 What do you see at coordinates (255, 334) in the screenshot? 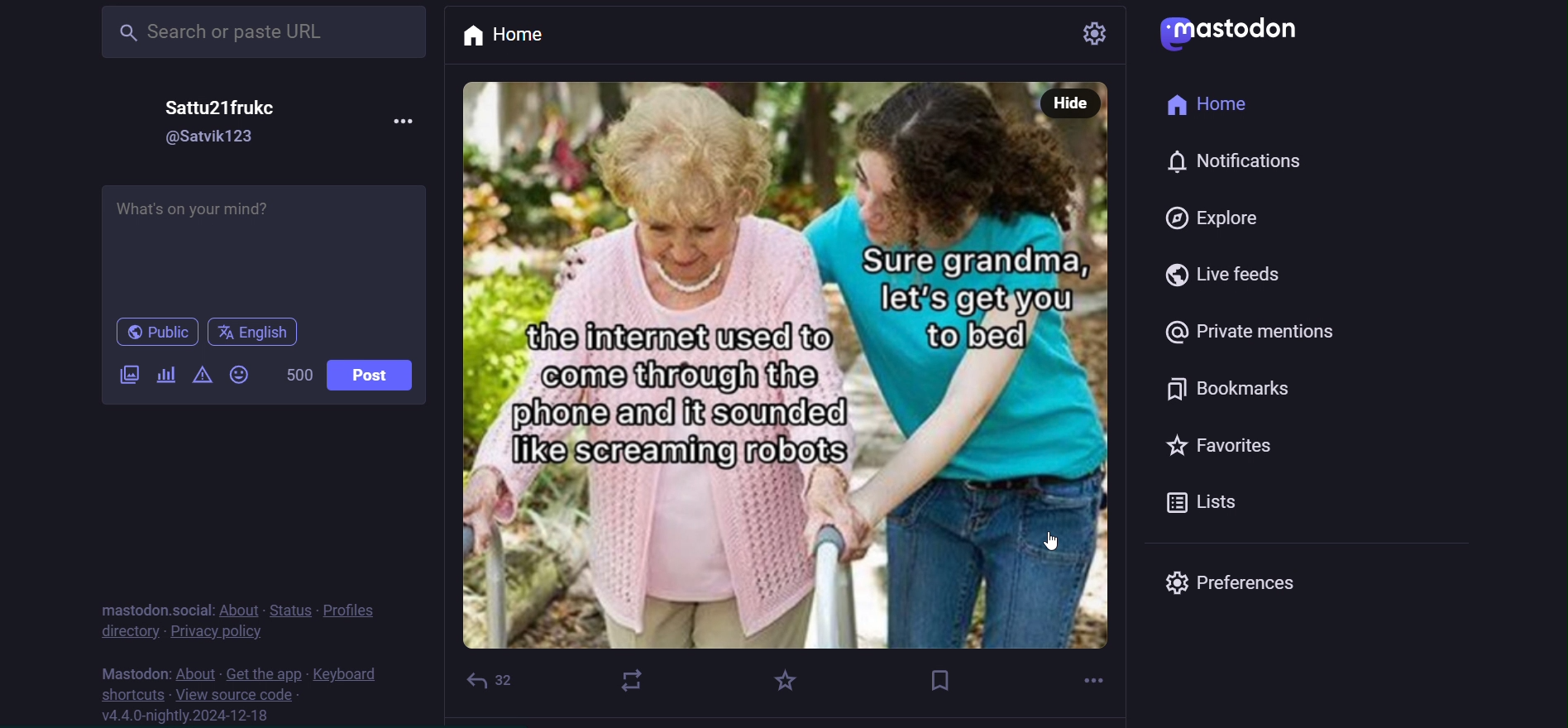
I see `english` at bounding box center [255, 334].